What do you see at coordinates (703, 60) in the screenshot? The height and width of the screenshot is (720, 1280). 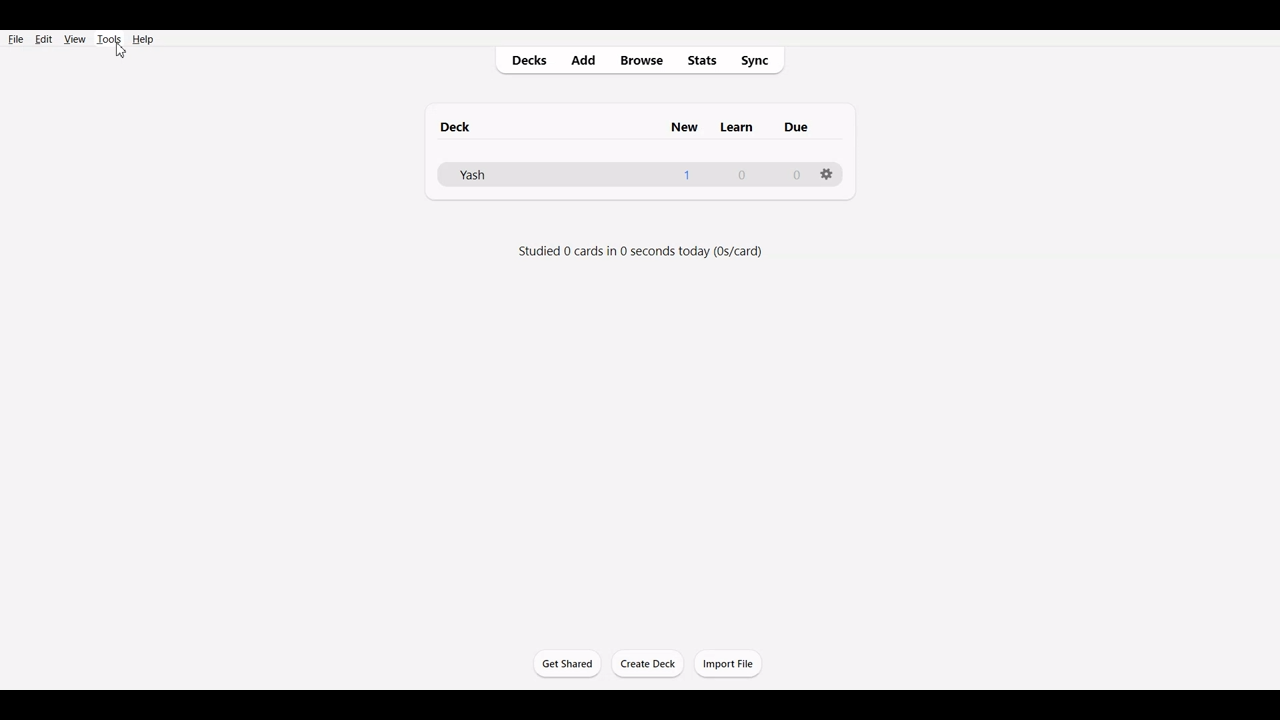 I see `Stats` at bounding box center [703, 60].